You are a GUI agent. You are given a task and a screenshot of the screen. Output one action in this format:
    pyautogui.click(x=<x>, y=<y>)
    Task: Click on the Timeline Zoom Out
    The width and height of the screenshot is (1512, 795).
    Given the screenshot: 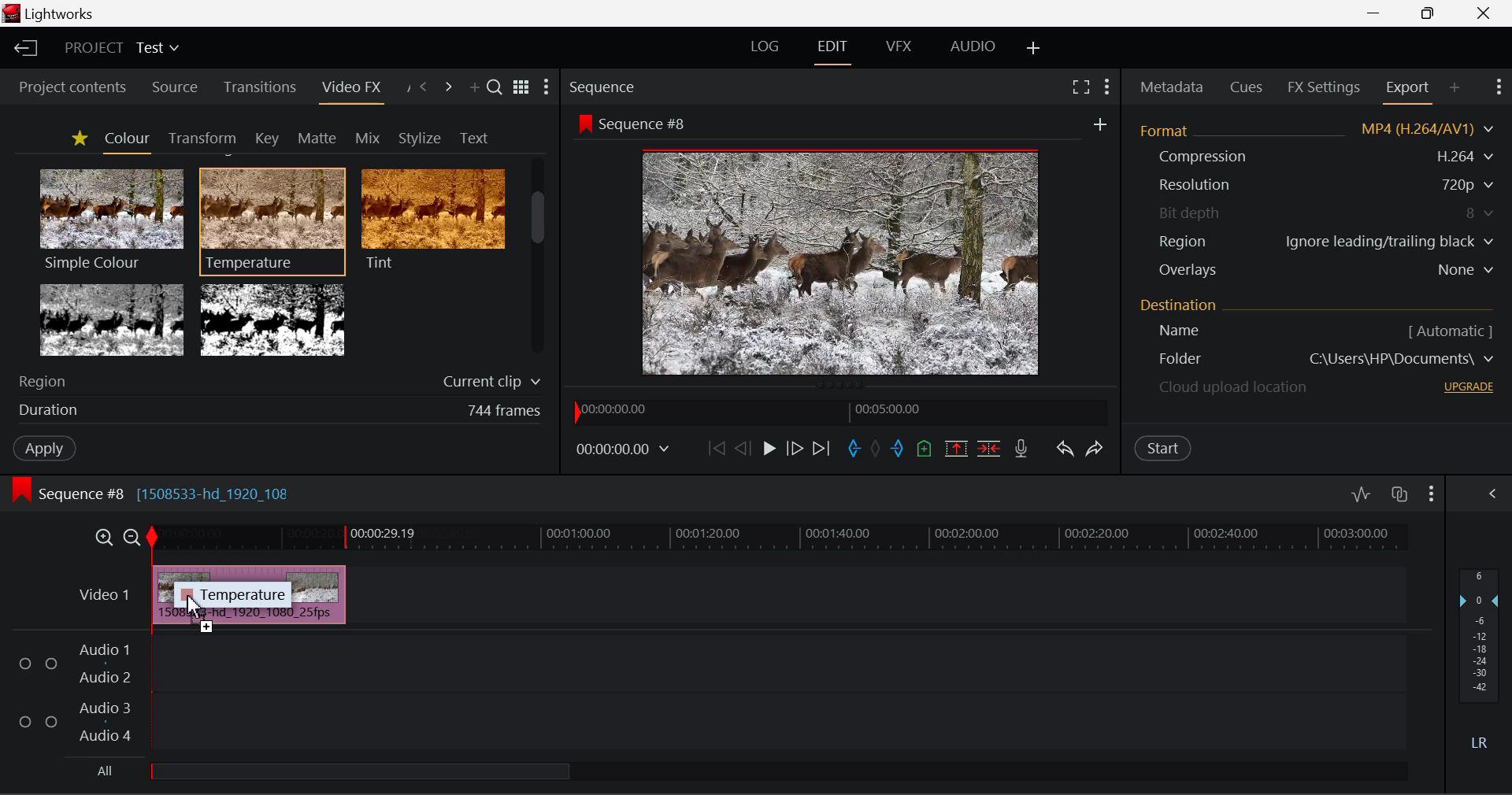 What is the action you would take?
    pyautogui.click(x=134, y=537)
    